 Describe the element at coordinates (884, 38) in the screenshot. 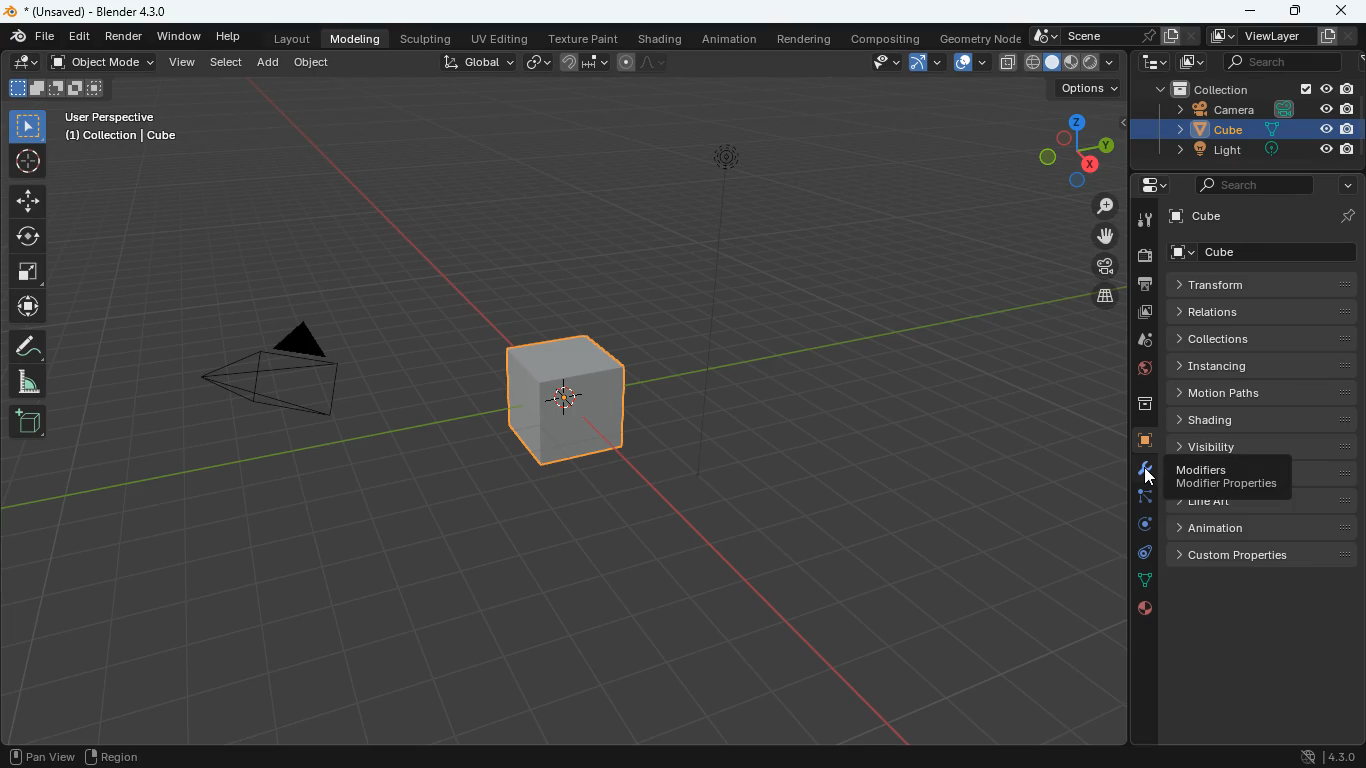

I see `compositing` at that location.